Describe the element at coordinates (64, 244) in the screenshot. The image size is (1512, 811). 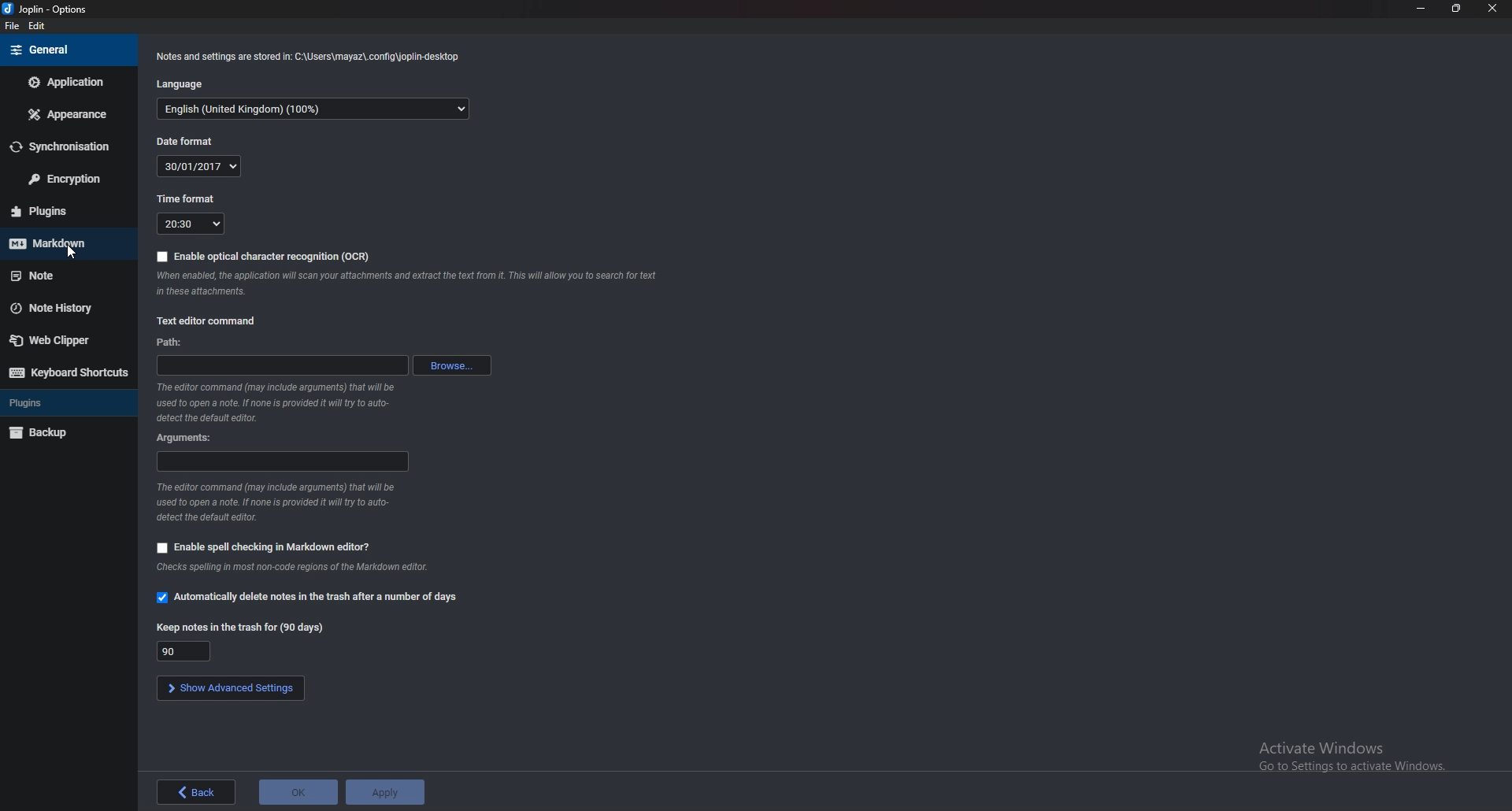
I see `Mark down` at that location.